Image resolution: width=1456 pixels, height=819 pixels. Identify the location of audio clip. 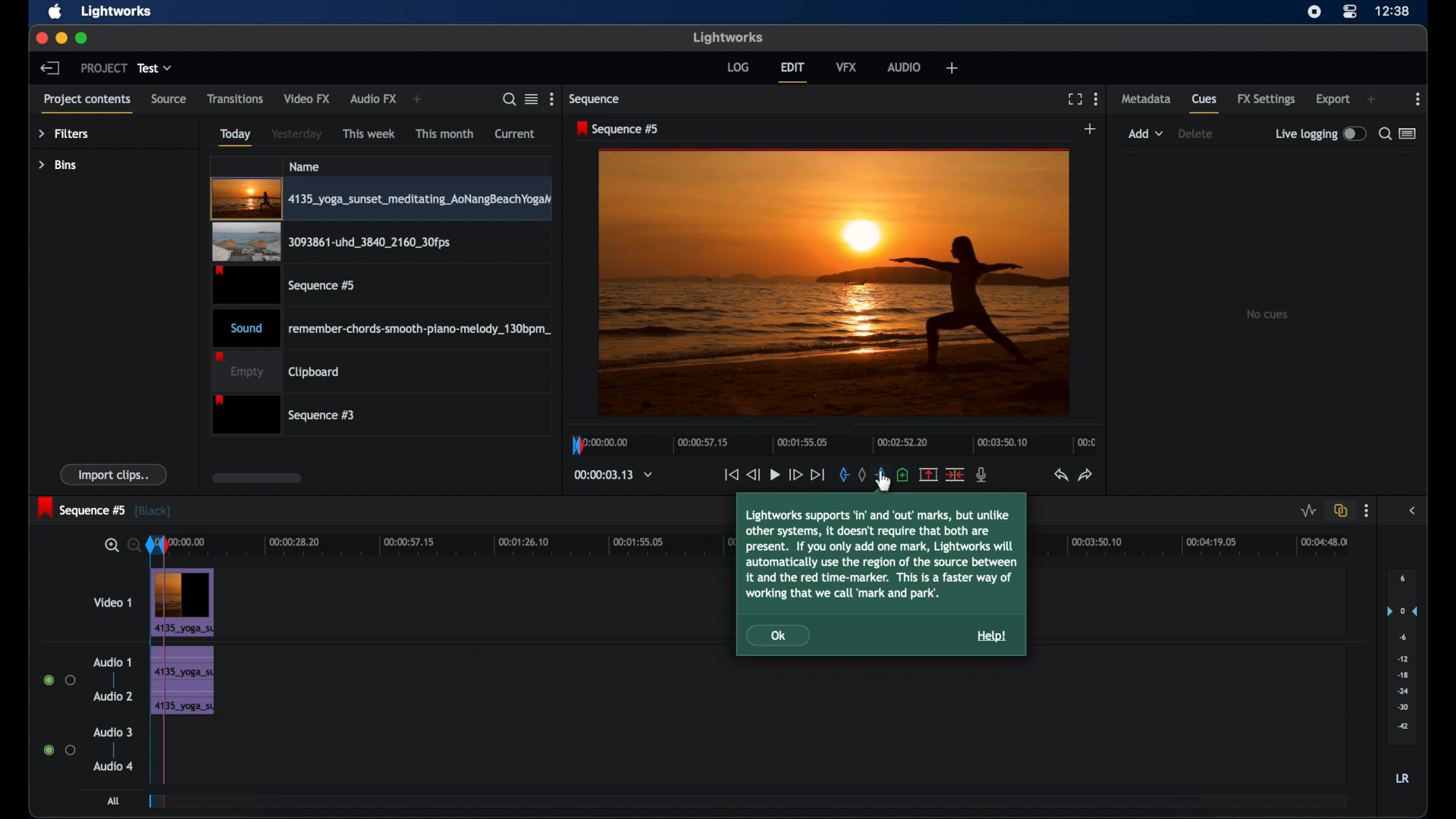
(181, 661).